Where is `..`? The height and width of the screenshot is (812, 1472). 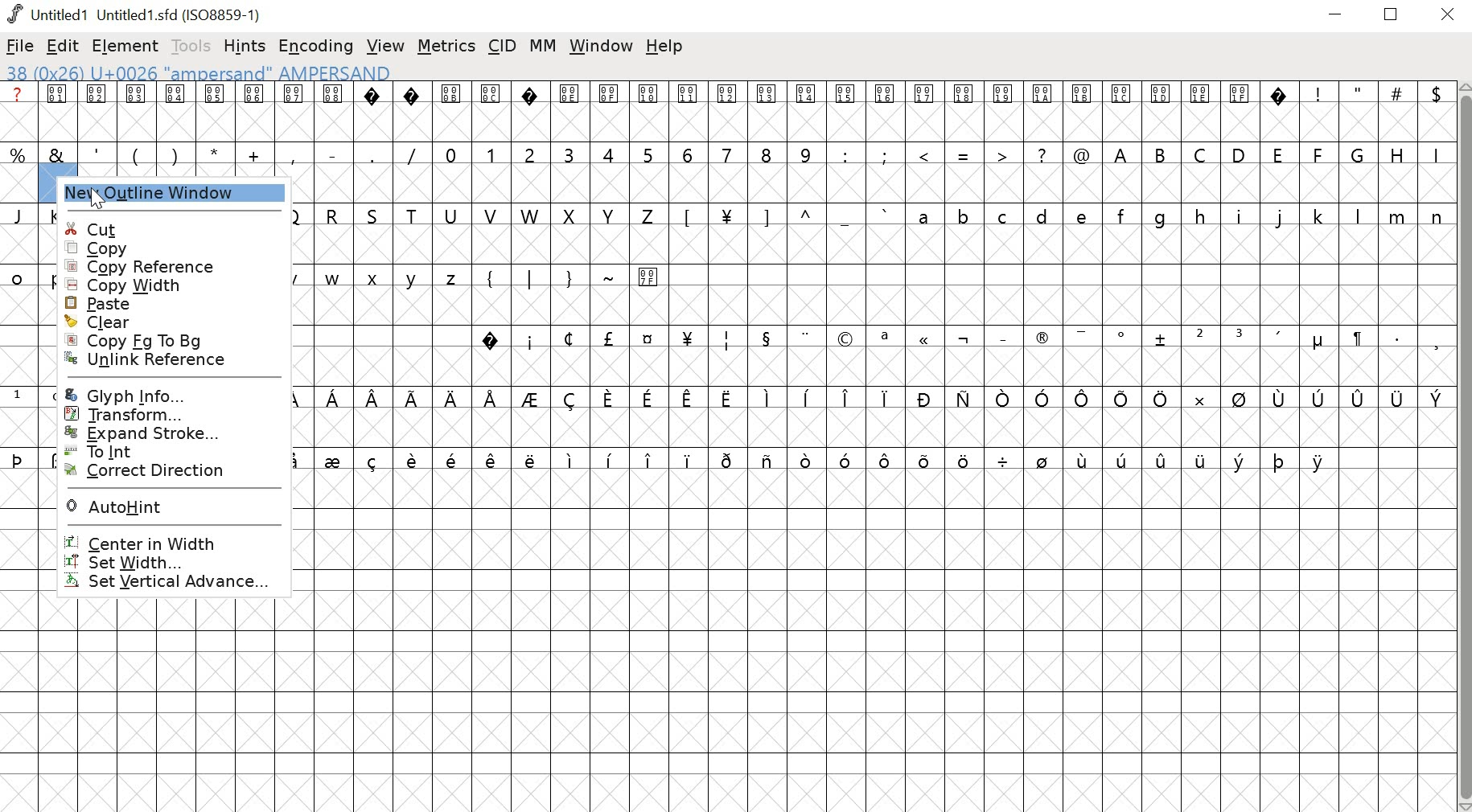 .. is located at coordinates (805, 336).